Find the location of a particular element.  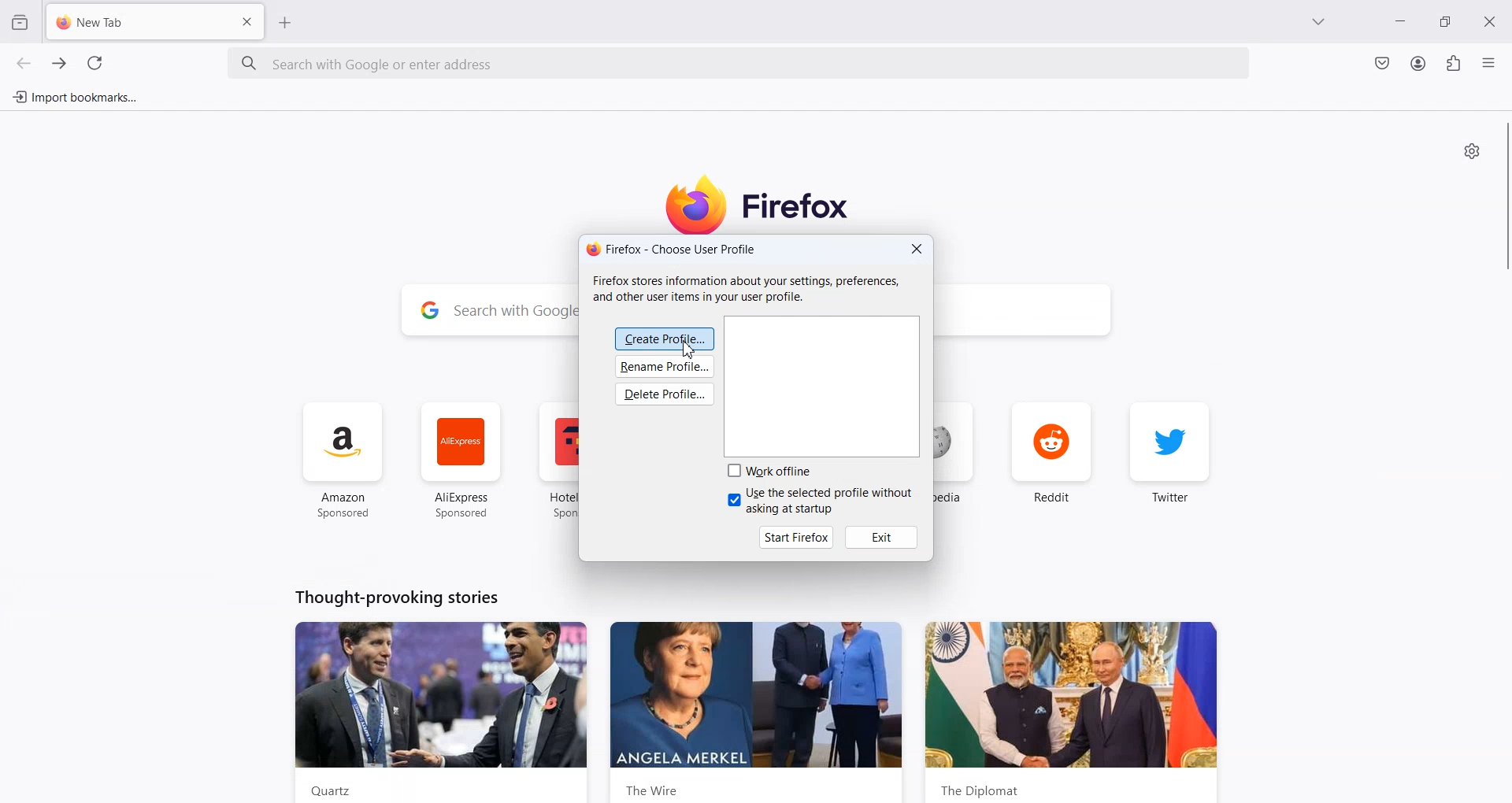

search with google is located at coordinates (513, 313).